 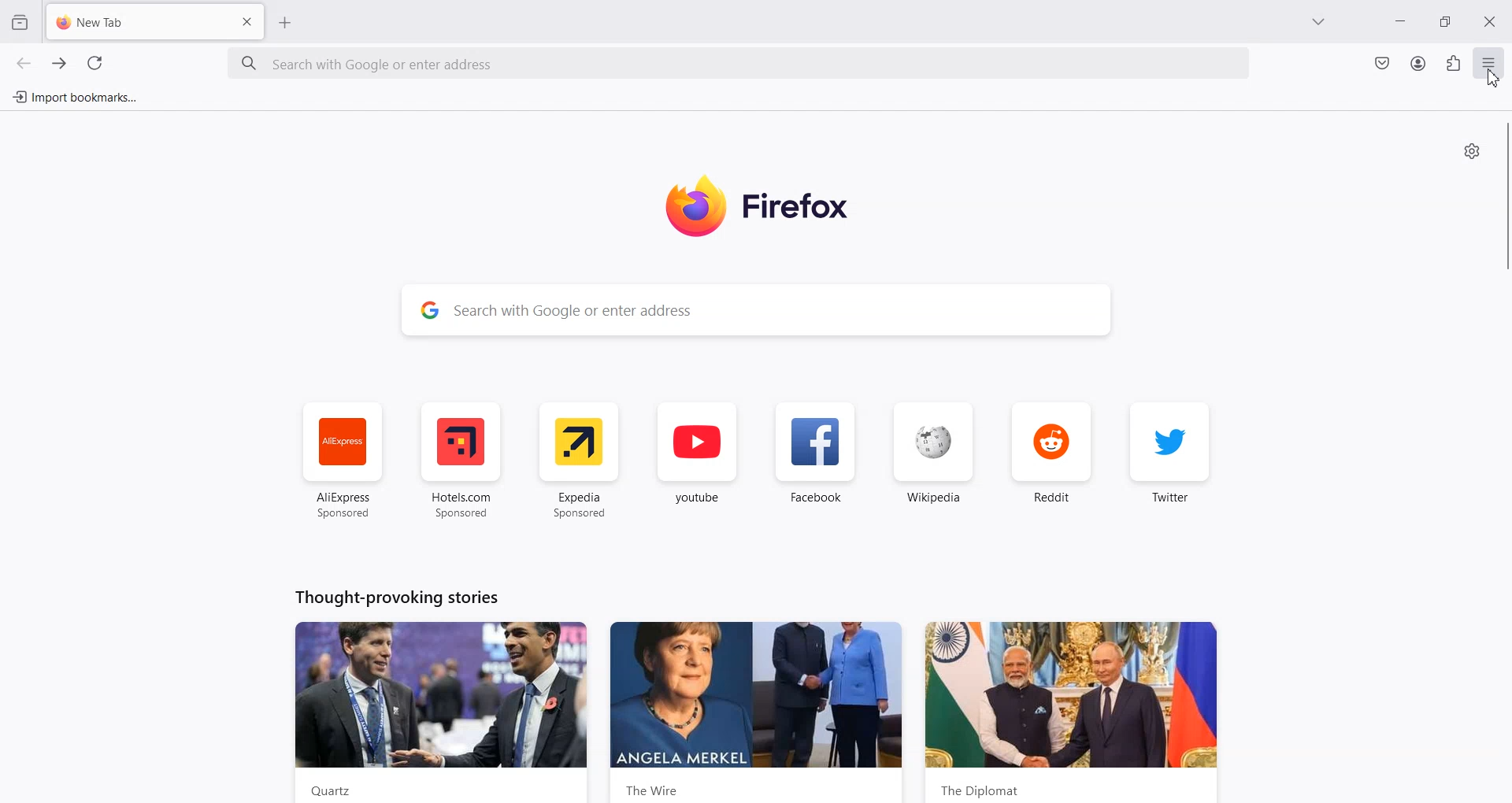 What do you see at coordinates (1503, 457) in the screenshot?
I see `Vertical scroll bar` at bounding box center [1503, 457].